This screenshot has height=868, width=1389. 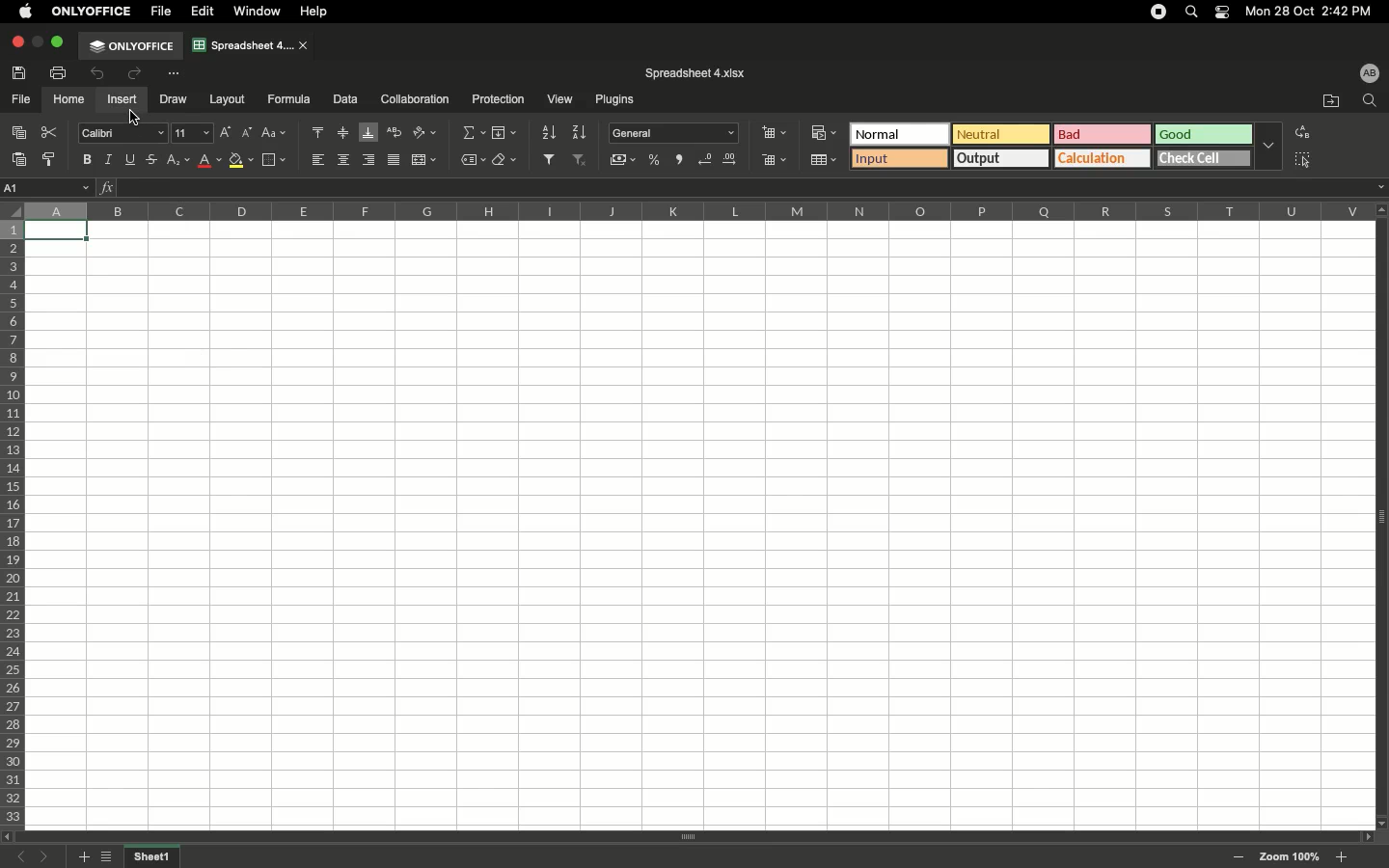 What do you see at coordinates (368, 133) in the screenshot?
I see `Align bottom` at bounding box center [368, 133].